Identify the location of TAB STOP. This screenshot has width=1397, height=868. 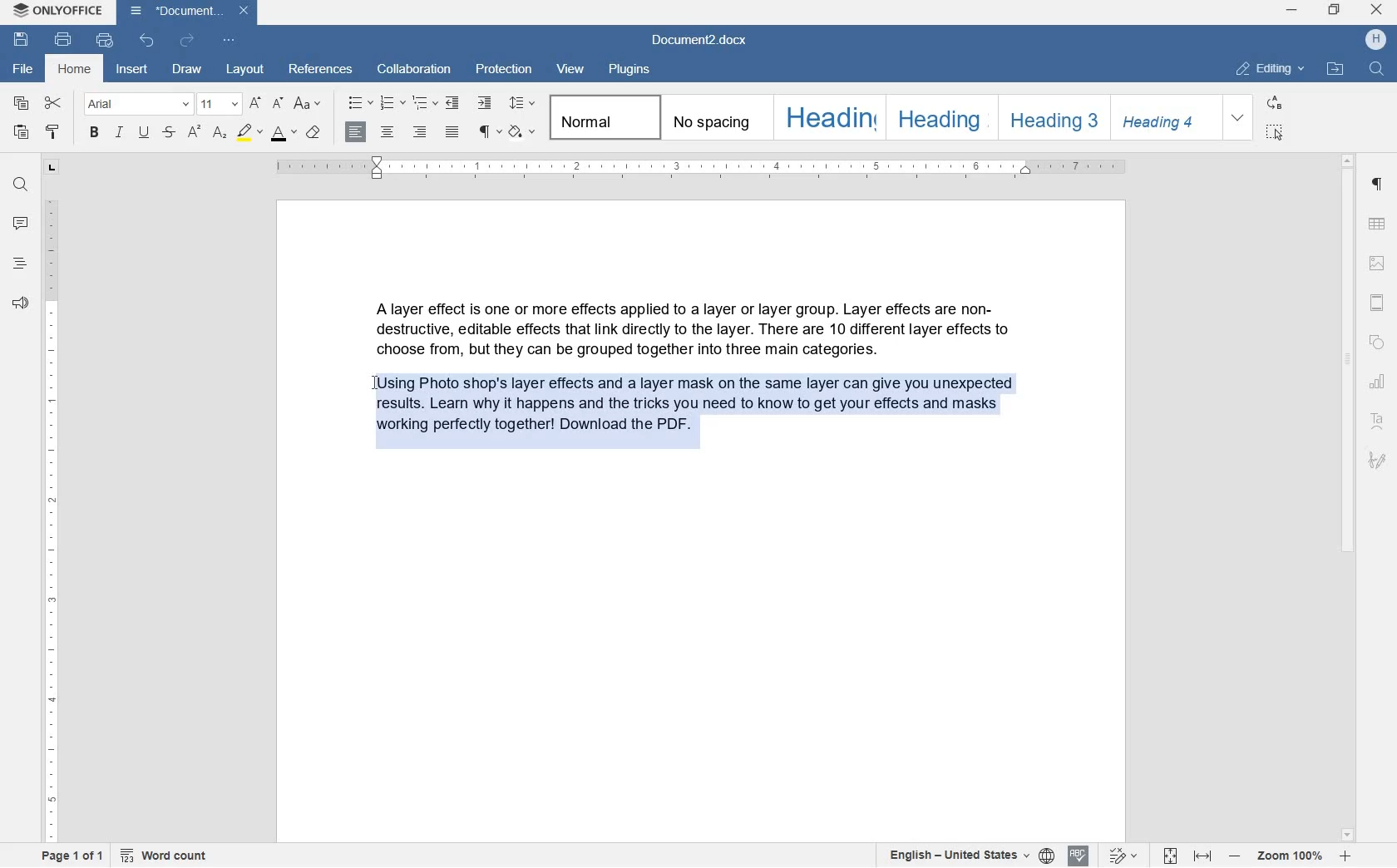
(52, 167).